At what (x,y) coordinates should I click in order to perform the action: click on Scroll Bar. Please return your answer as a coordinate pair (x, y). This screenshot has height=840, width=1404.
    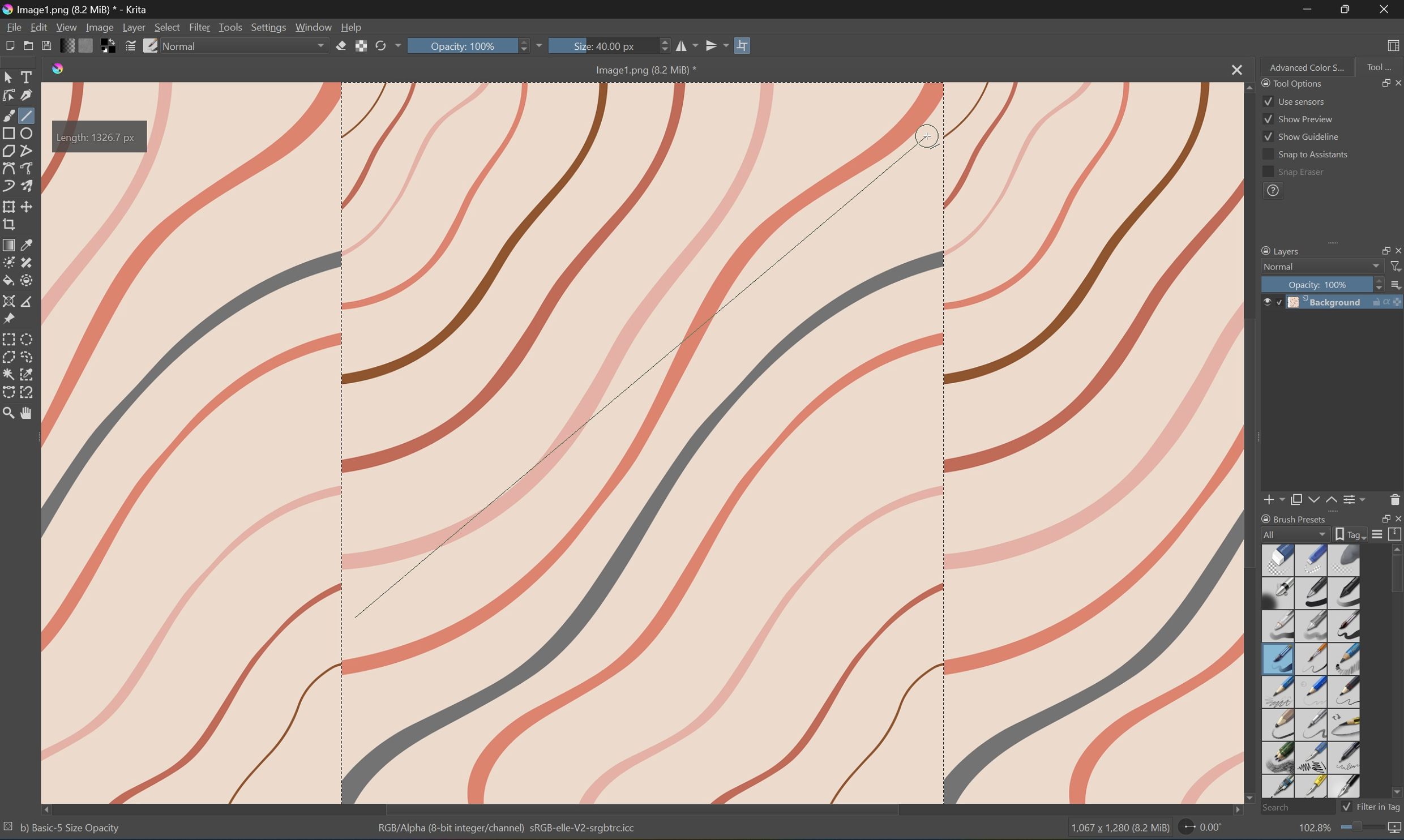
    Looking at the image, I should click on (1395, 576).